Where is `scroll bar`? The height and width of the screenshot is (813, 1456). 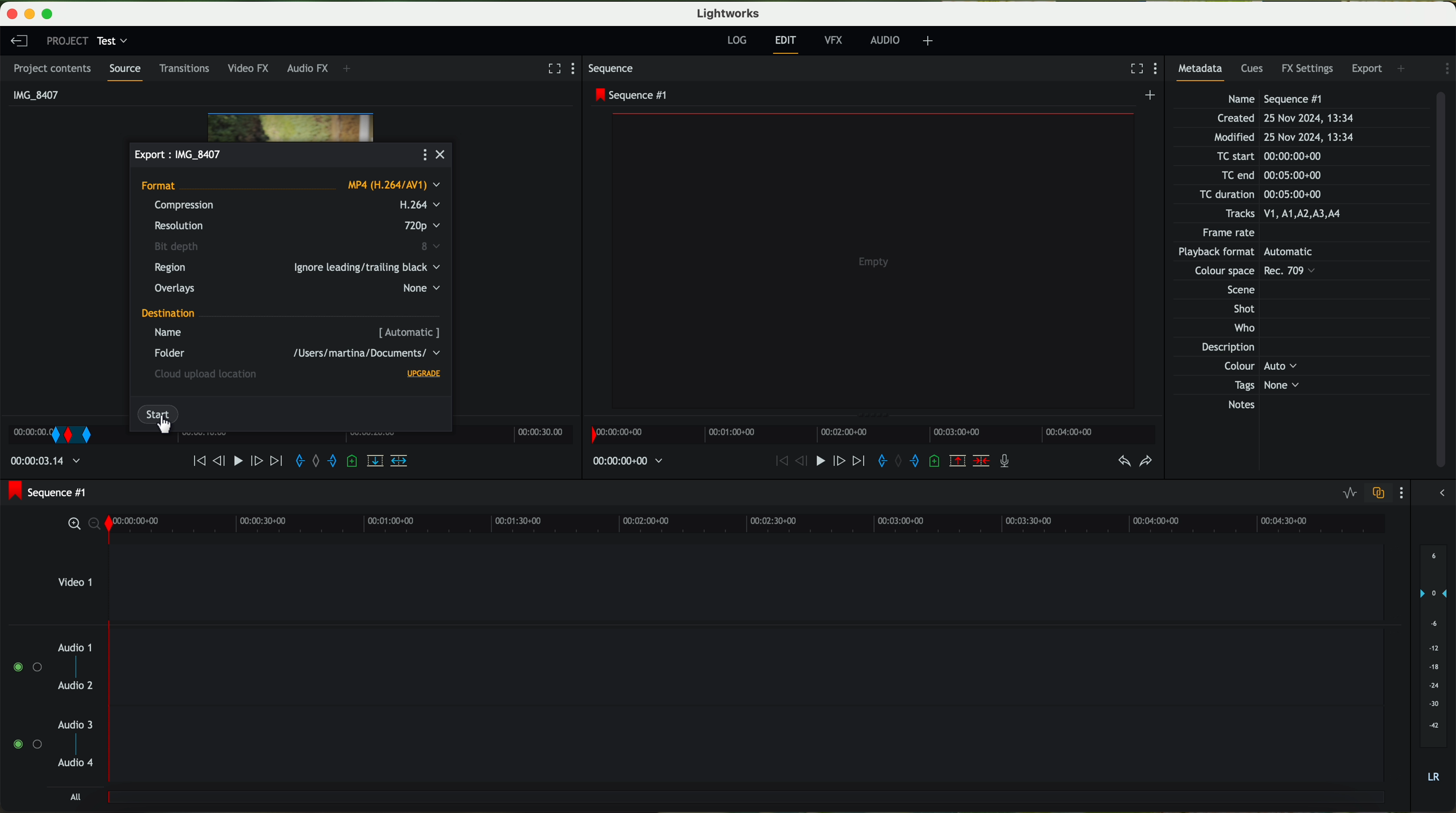 scroll bar is located at coordinates (1446, 281).